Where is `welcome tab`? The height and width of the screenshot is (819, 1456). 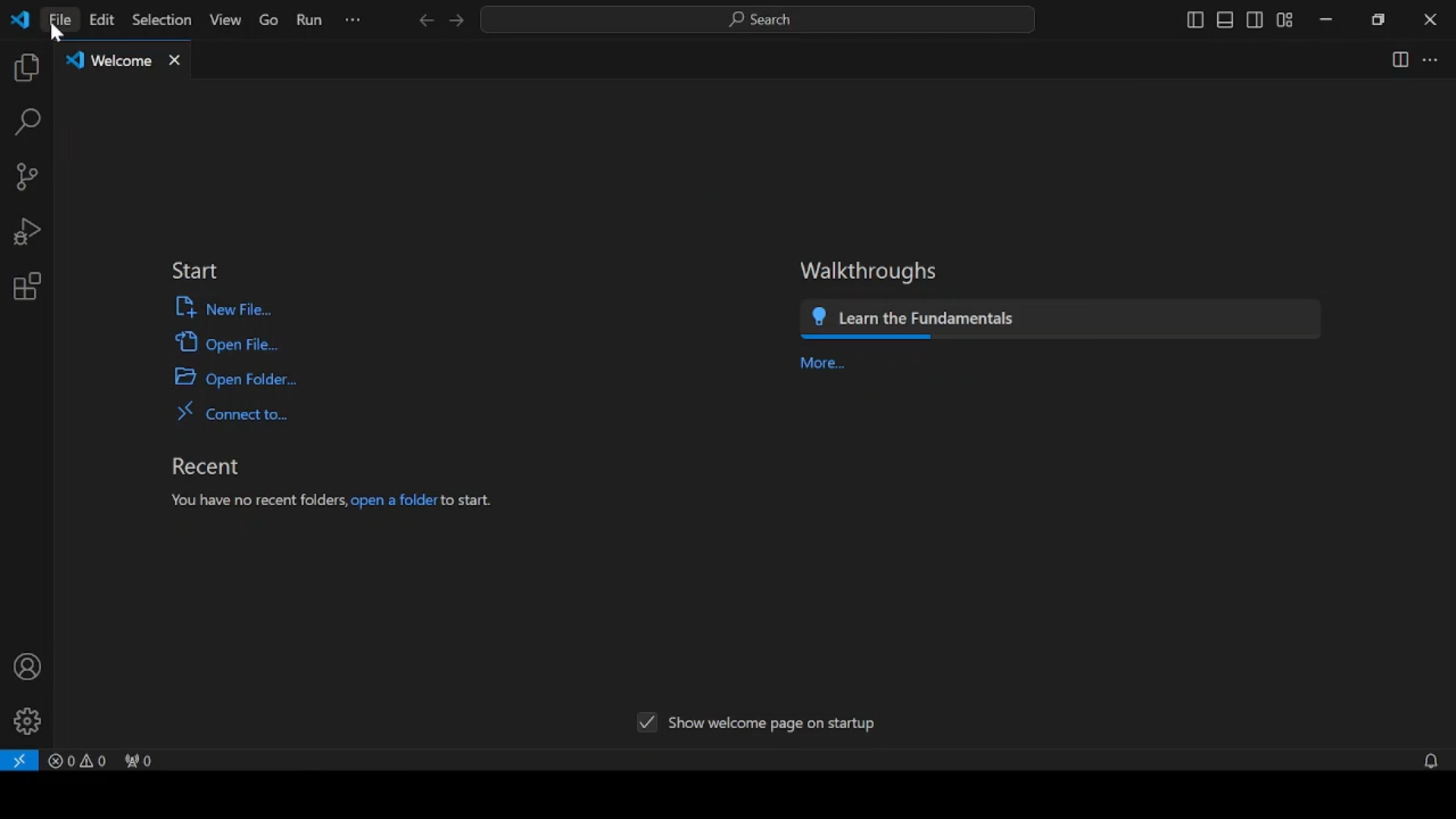 welcome tab is located at coordinates (124, 60).